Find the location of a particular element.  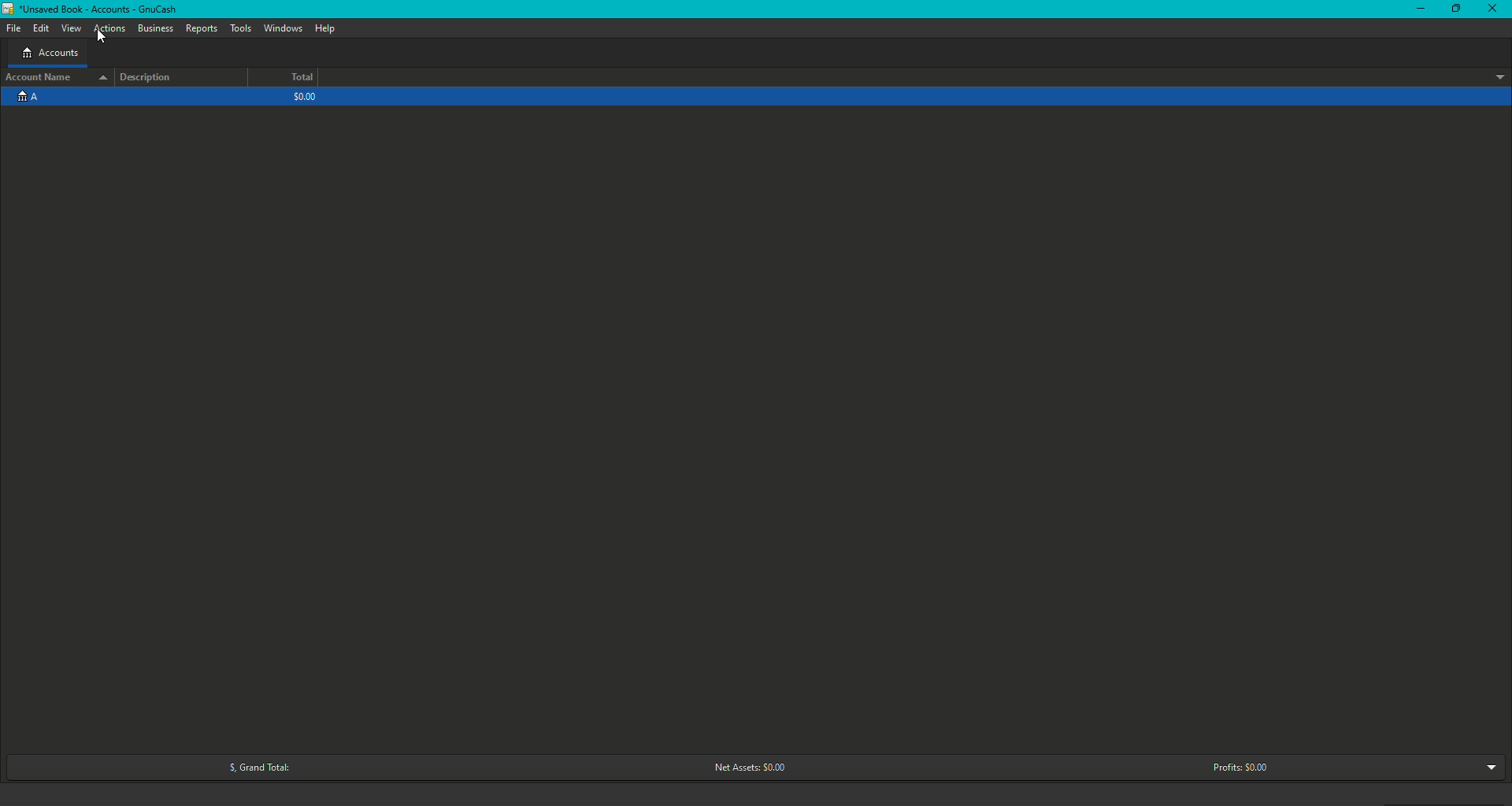

Business is located at coordinates (155, 28).